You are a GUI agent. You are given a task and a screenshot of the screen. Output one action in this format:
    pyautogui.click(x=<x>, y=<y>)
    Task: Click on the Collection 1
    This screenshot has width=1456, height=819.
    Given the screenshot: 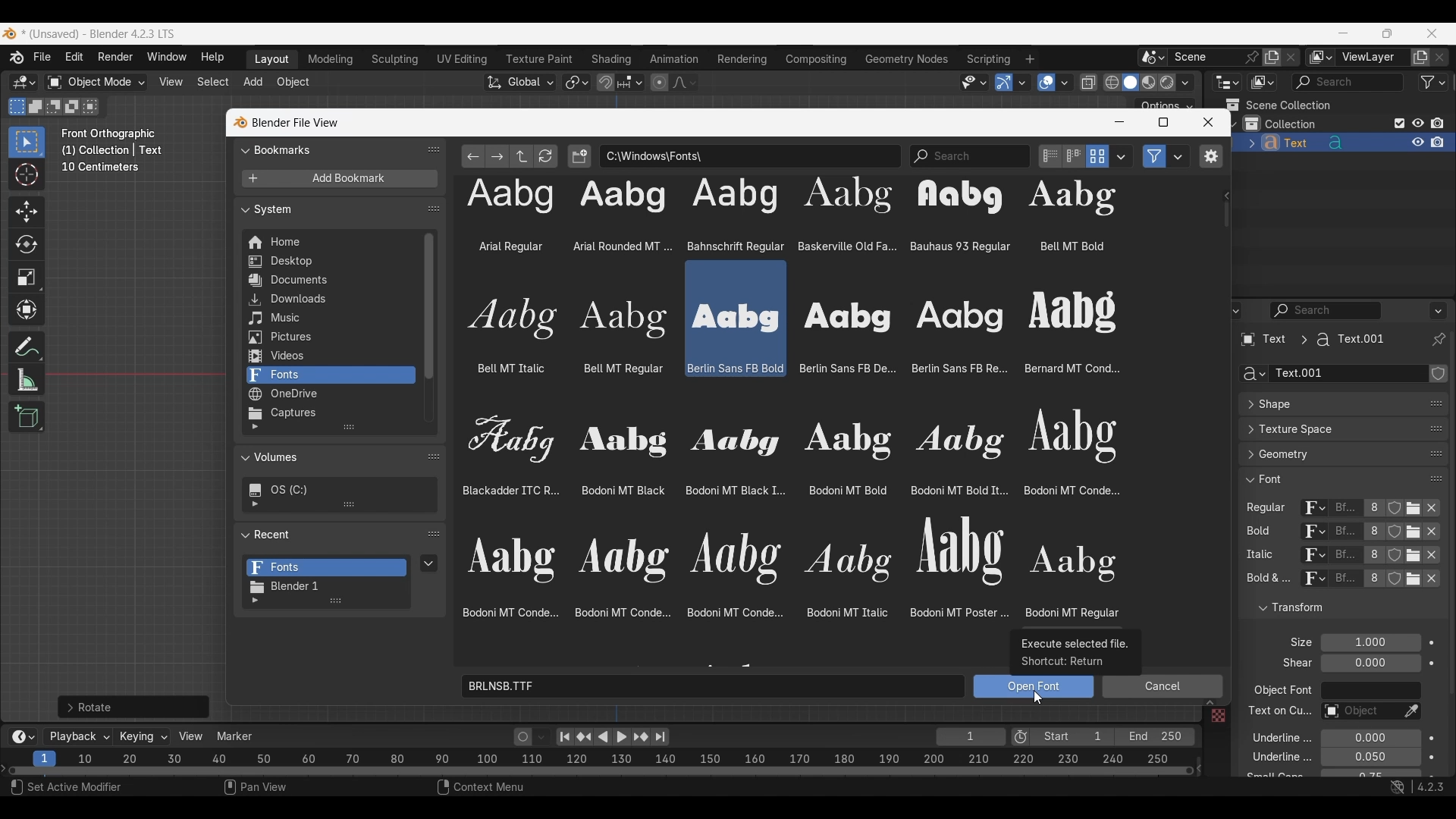 What is the action you would take?
    pyautogui.click(x=1283, y=124)
    